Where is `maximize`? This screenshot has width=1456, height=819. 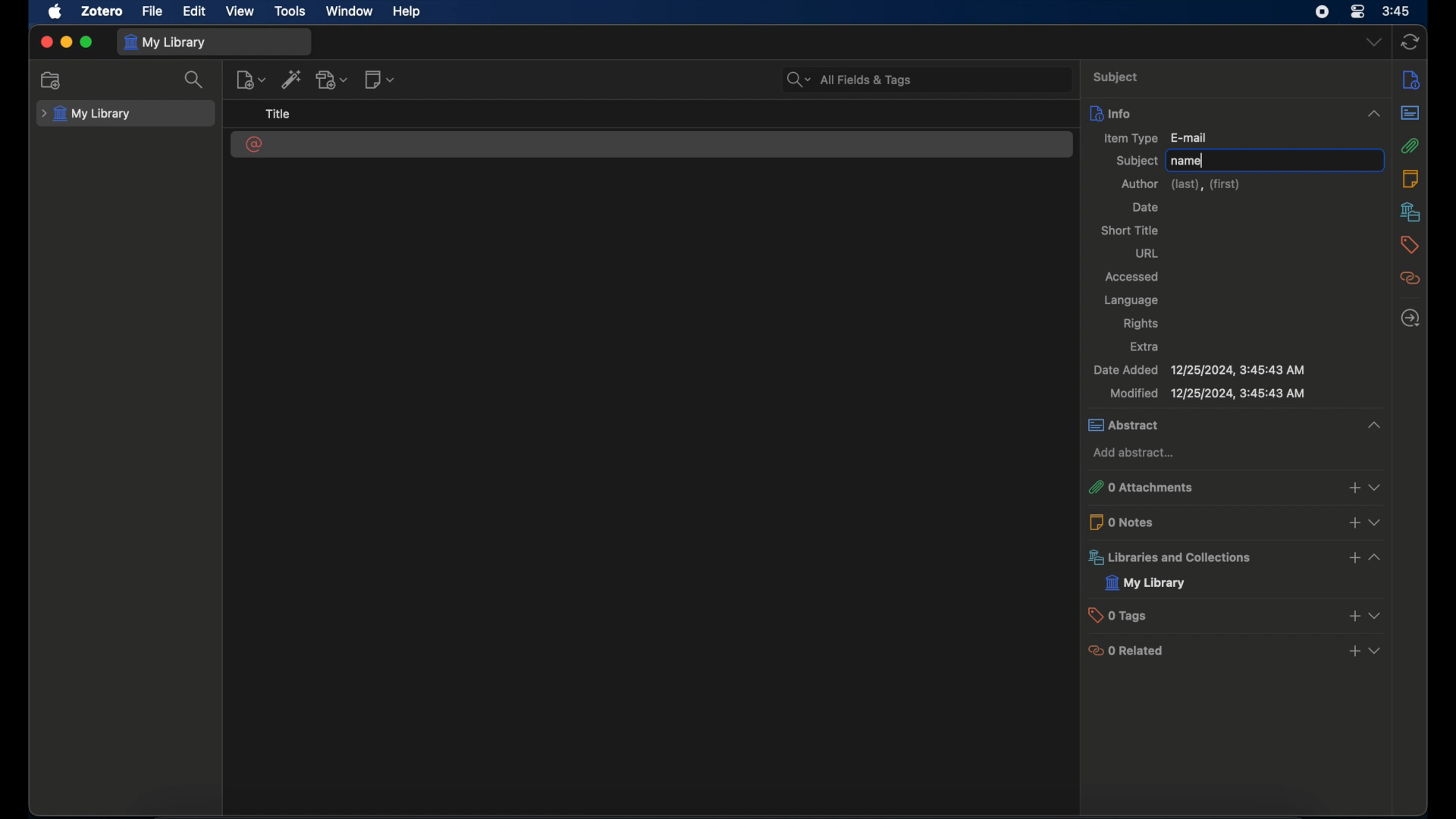
maximize is located at coordinates (88, 42).